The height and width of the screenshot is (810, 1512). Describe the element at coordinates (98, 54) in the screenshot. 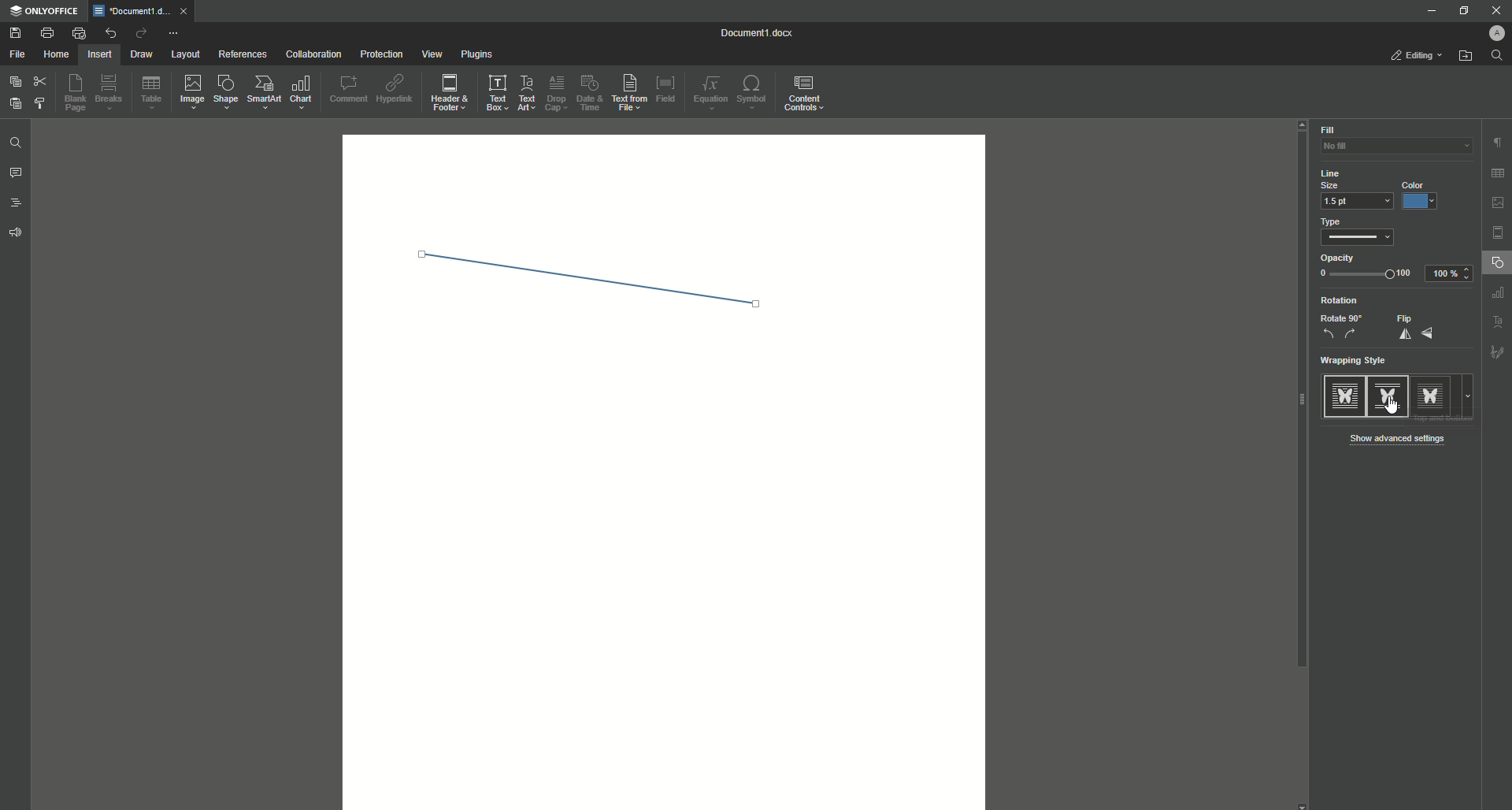

I see `Insert` at that location.